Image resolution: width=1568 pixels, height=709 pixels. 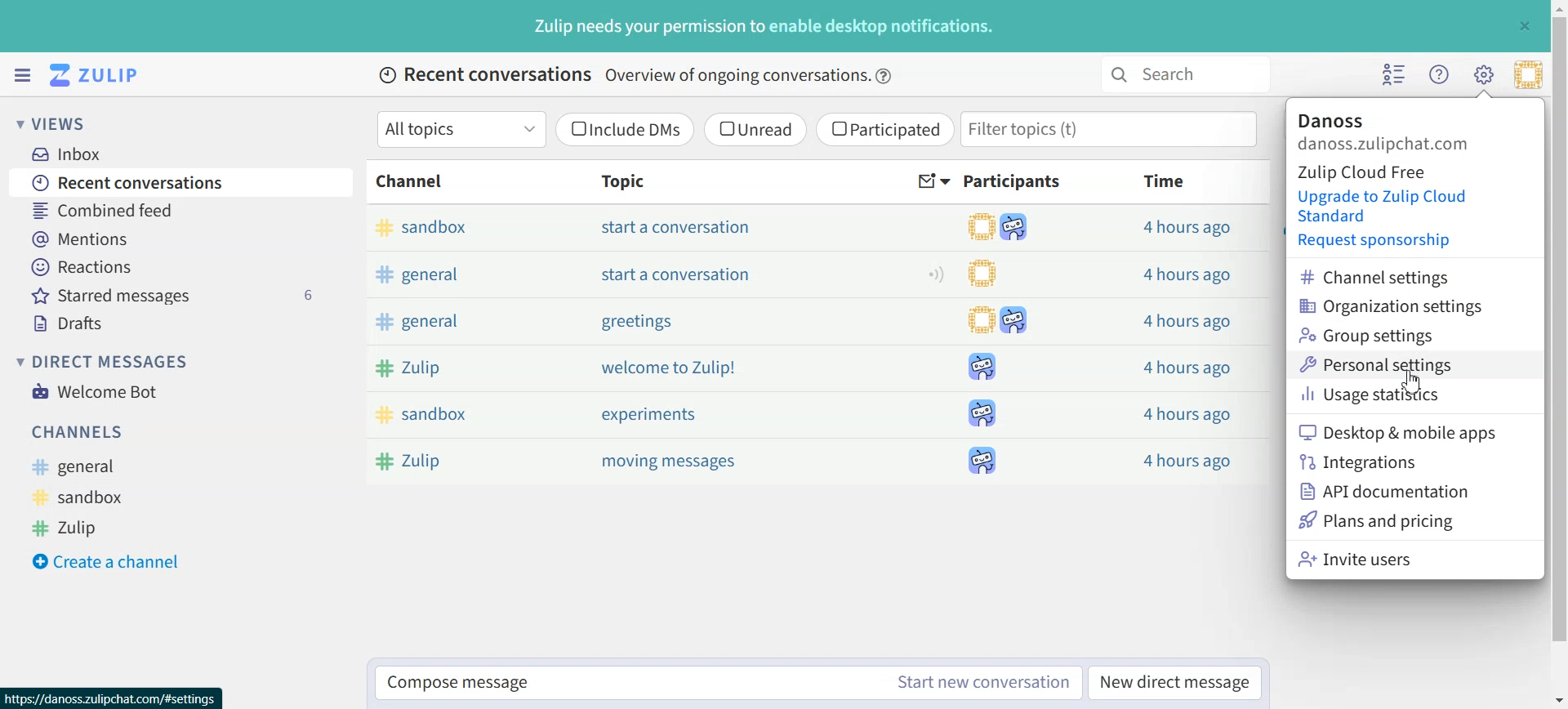 What do you see at coordinates (1187, 413) in the screenshot?
I see `4 hours ago` at bounding box center [1187, 413].